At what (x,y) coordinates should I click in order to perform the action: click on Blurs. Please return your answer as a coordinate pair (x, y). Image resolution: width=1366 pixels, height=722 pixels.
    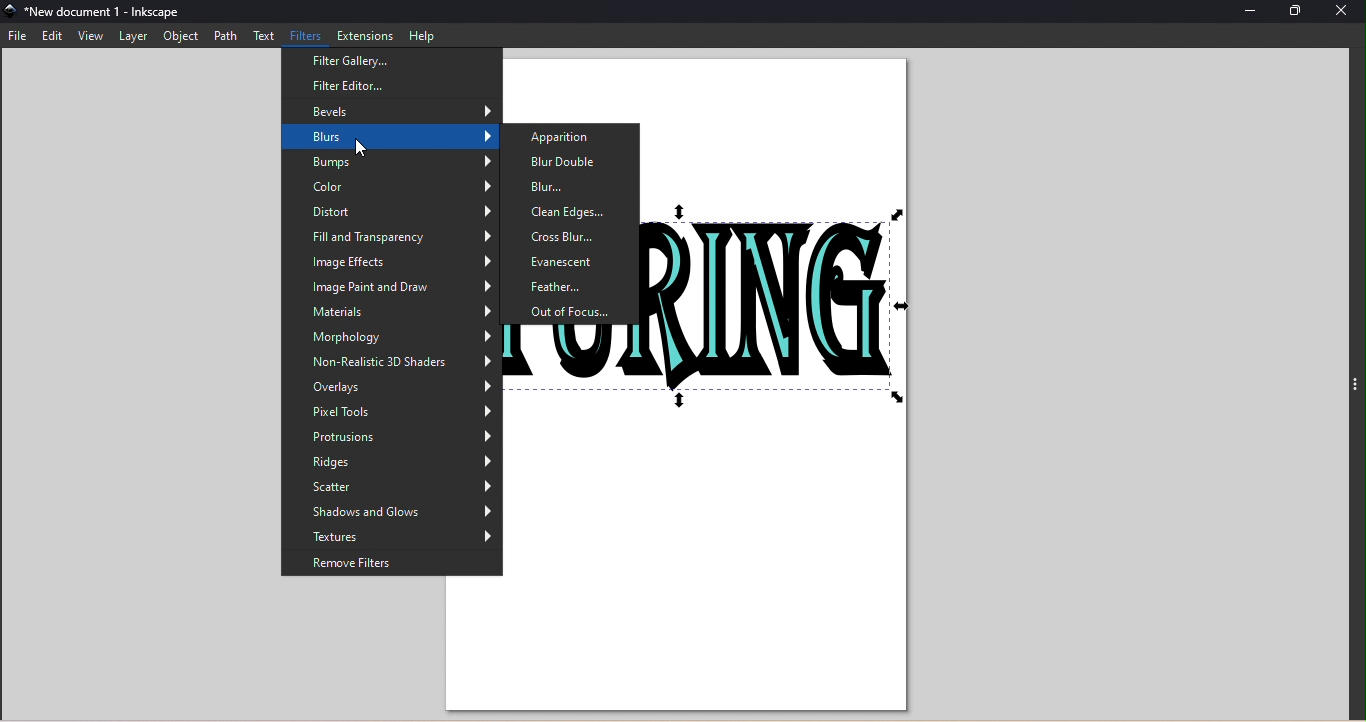
    Looking at the image, I should click on (386, 136).